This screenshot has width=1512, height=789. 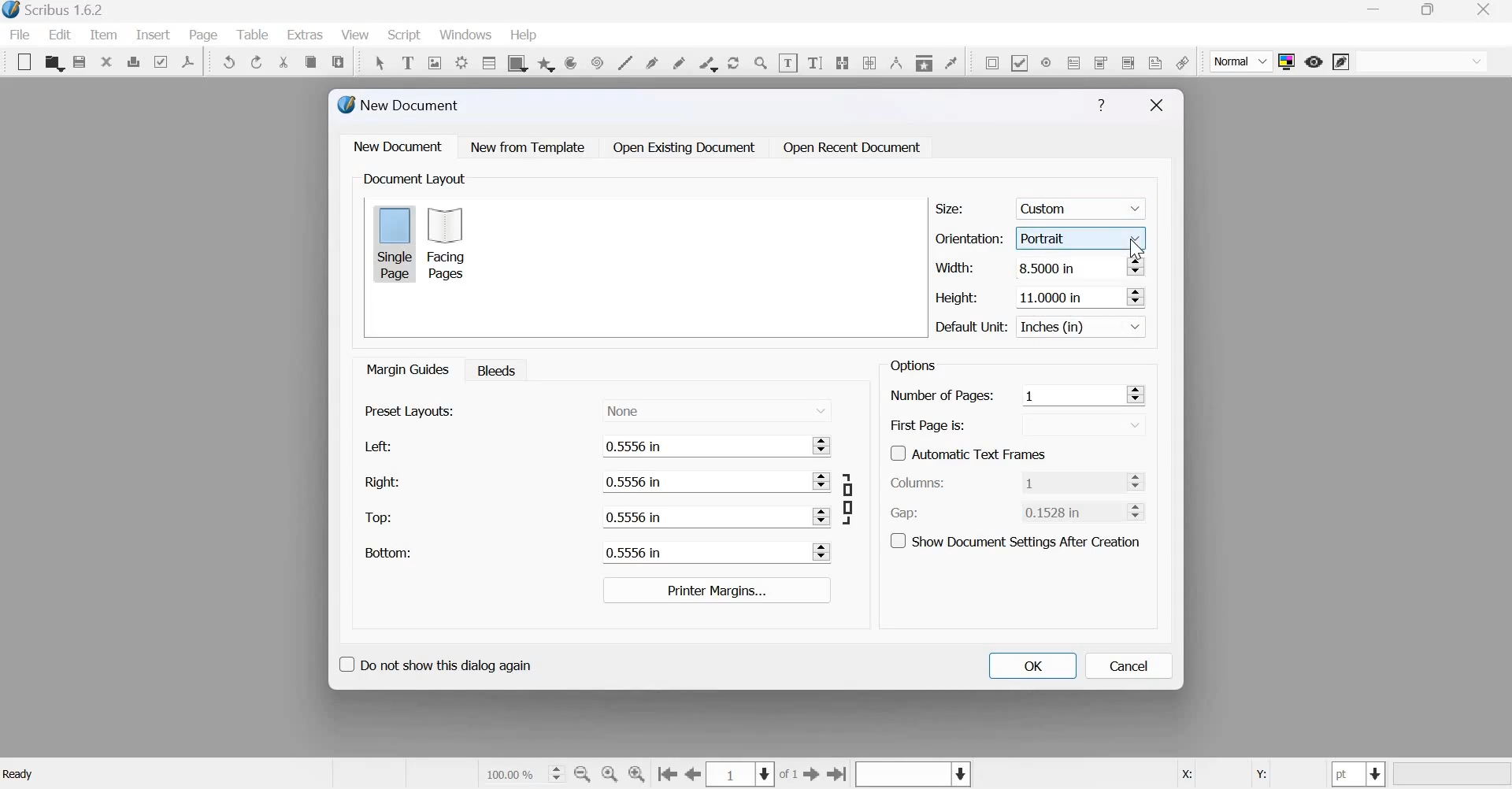 What do you see at coordinates (584, 774) in the screenshot?
I see `zoom out by the stepping values in tool preferences` at bounding box center [584, 774].